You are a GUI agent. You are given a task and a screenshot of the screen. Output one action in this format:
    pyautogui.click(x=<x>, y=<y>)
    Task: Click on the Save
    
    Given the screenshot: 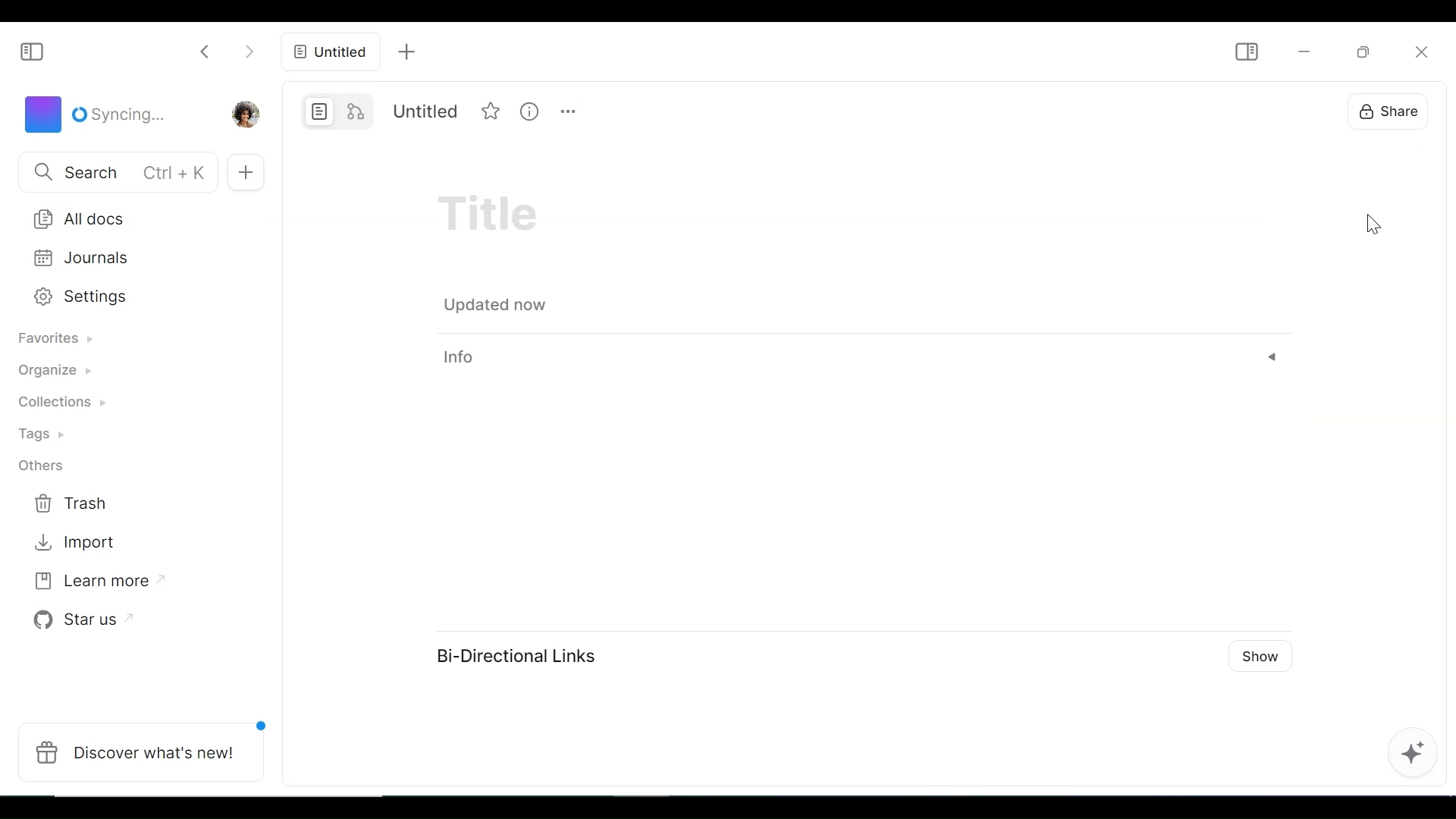 What is the action you would take?
    pyautogui.click(x=499, y=305)
    